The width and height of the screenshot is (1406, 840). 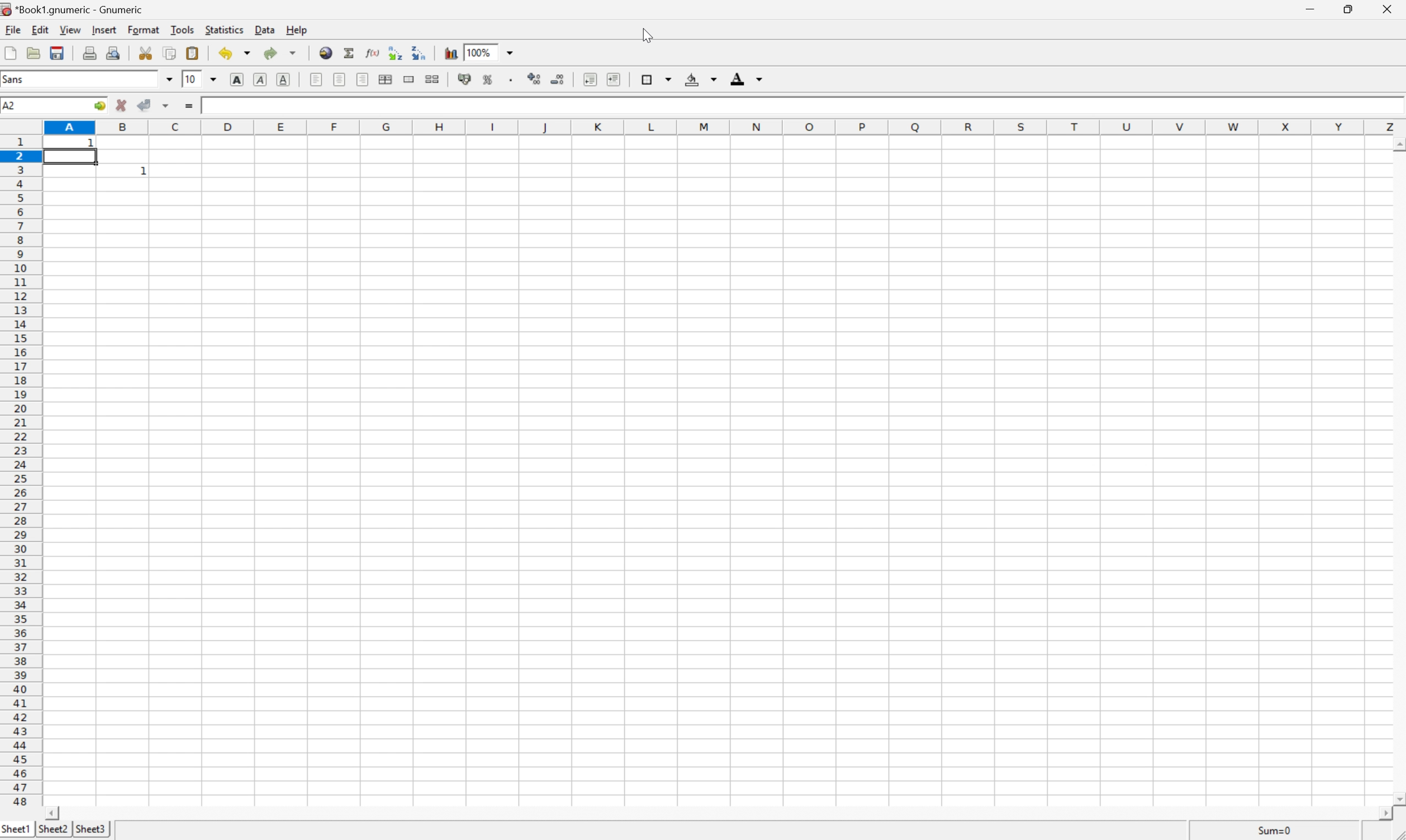 I want to click on center horizontally across selection, so click(x=384, y=79).